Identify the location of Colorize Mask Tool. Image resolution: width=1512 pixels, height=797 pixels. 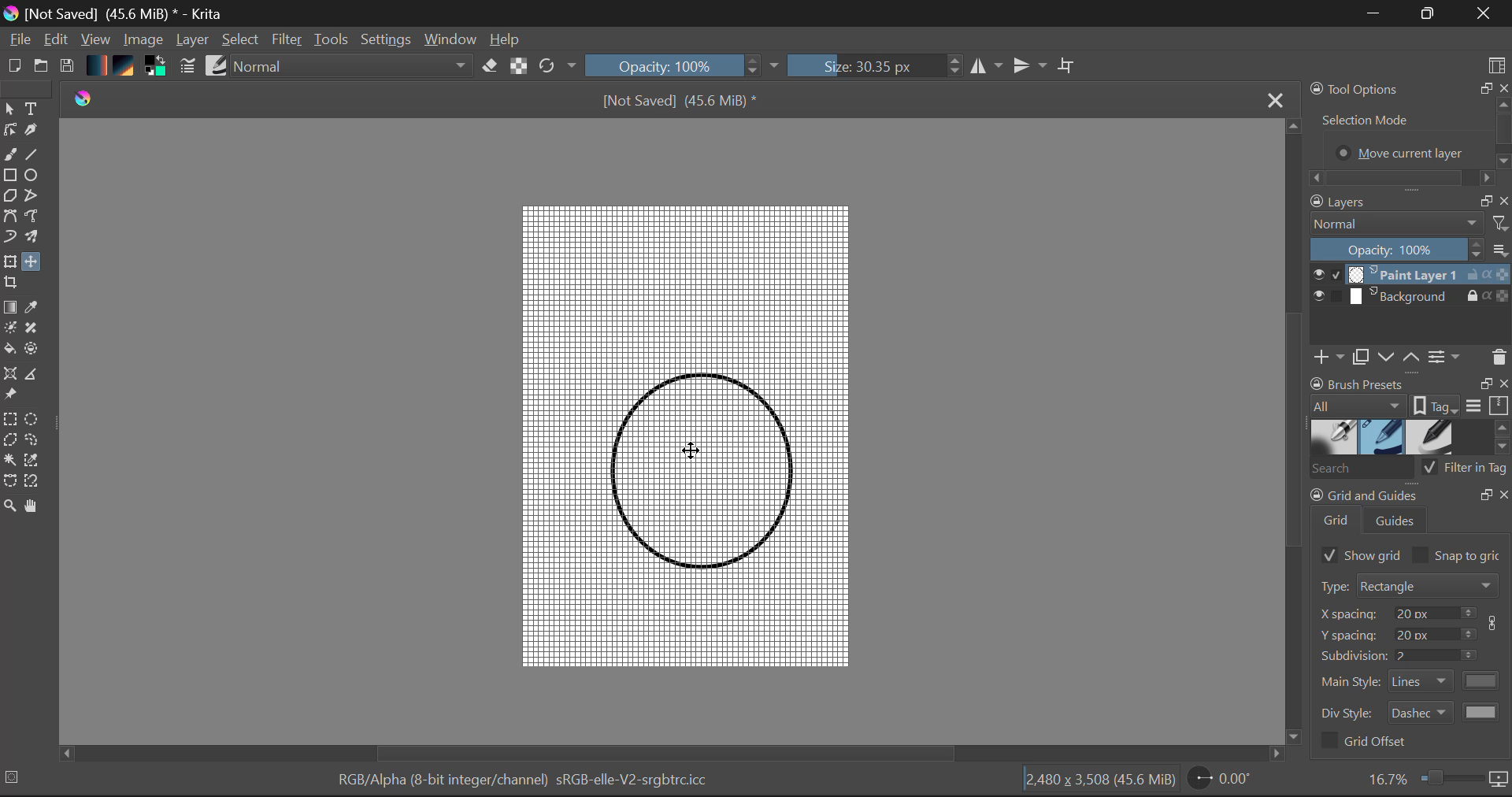
(10, 328).